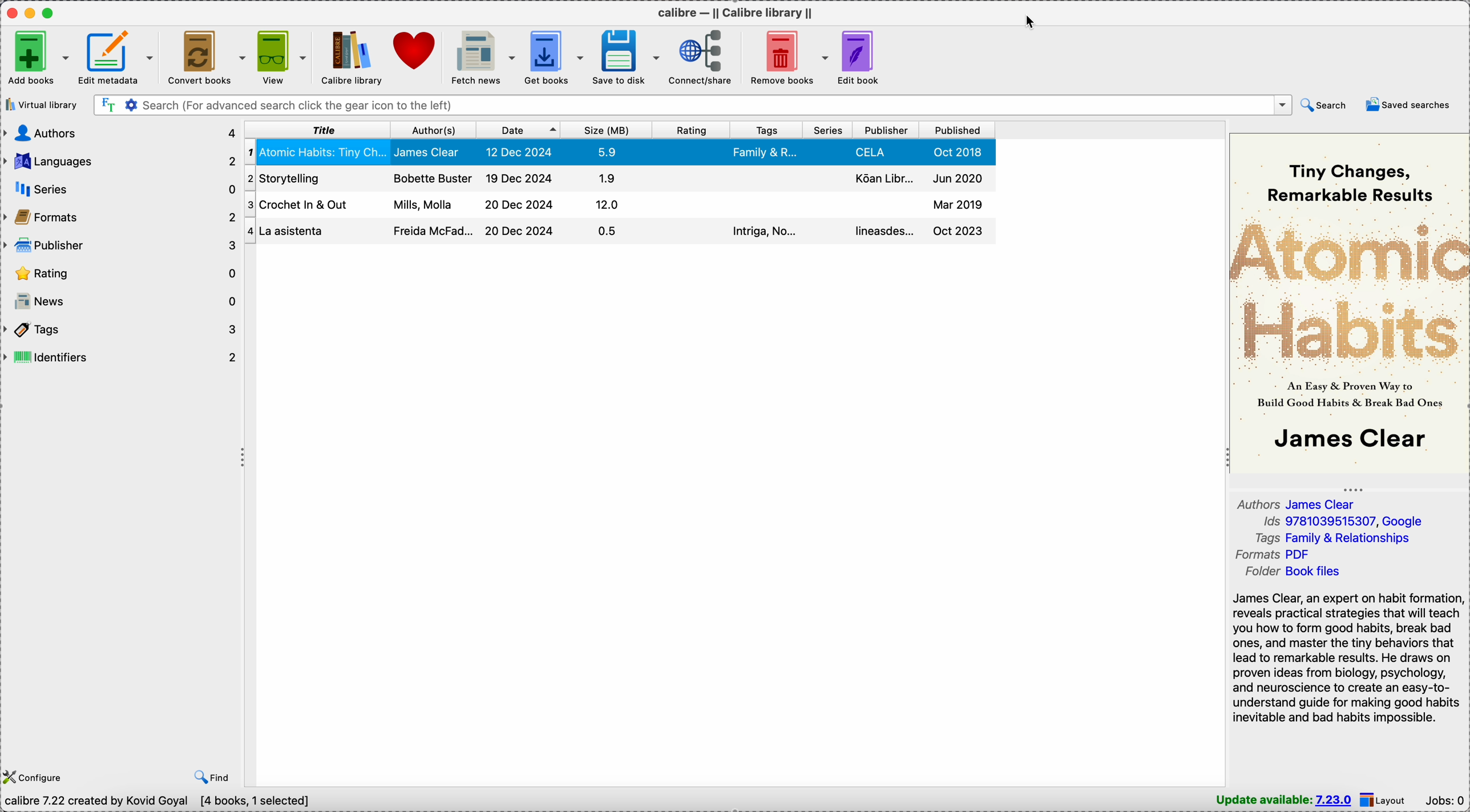 The width and height of the screenshot is (1470, 812). Describe the element at coordinates (1031, 24) in the screenshot. I see `cursor` at that location.